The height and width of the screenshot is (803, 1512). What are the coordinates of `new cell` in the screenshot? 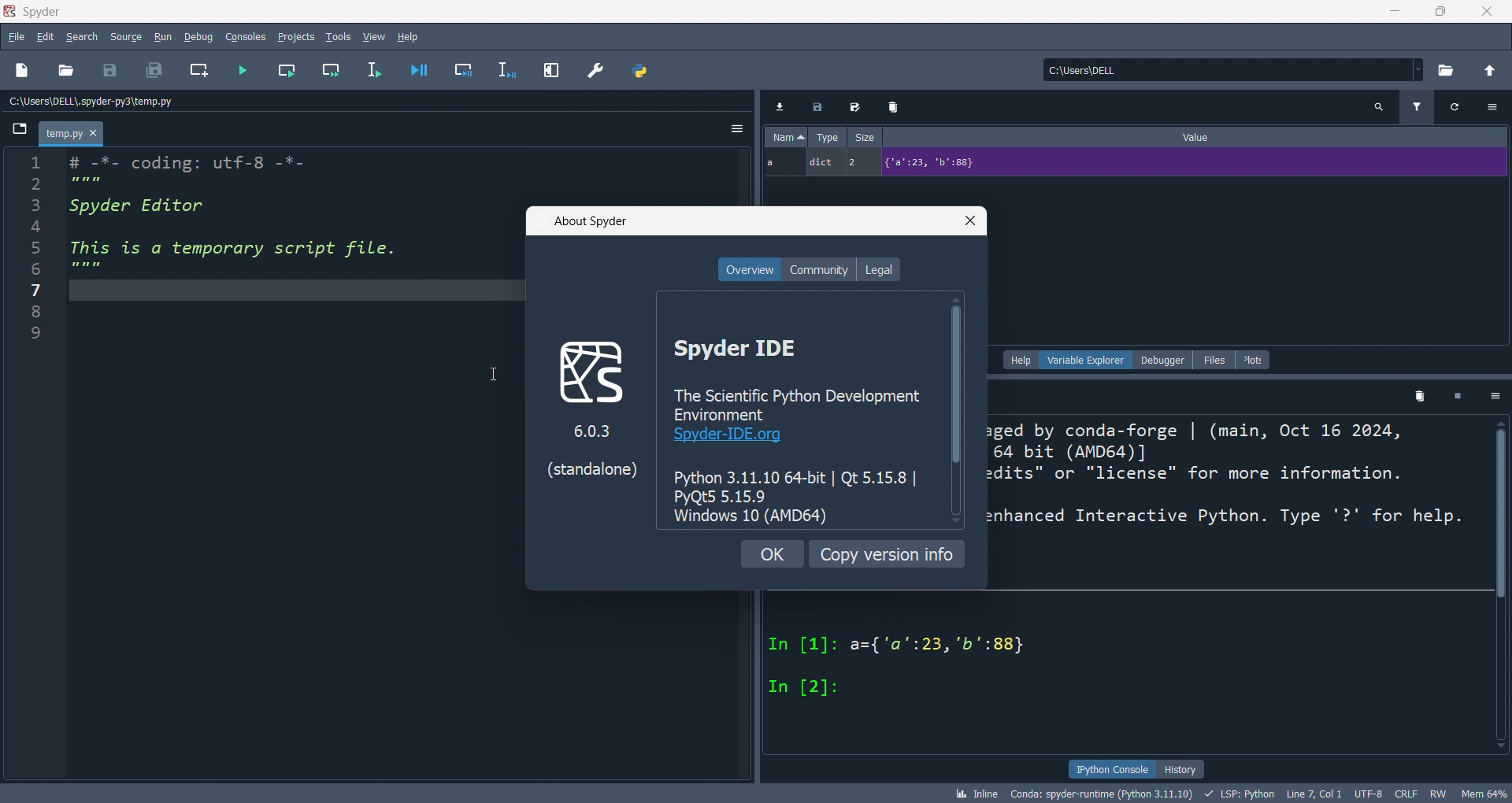 It's located at (200, 71).